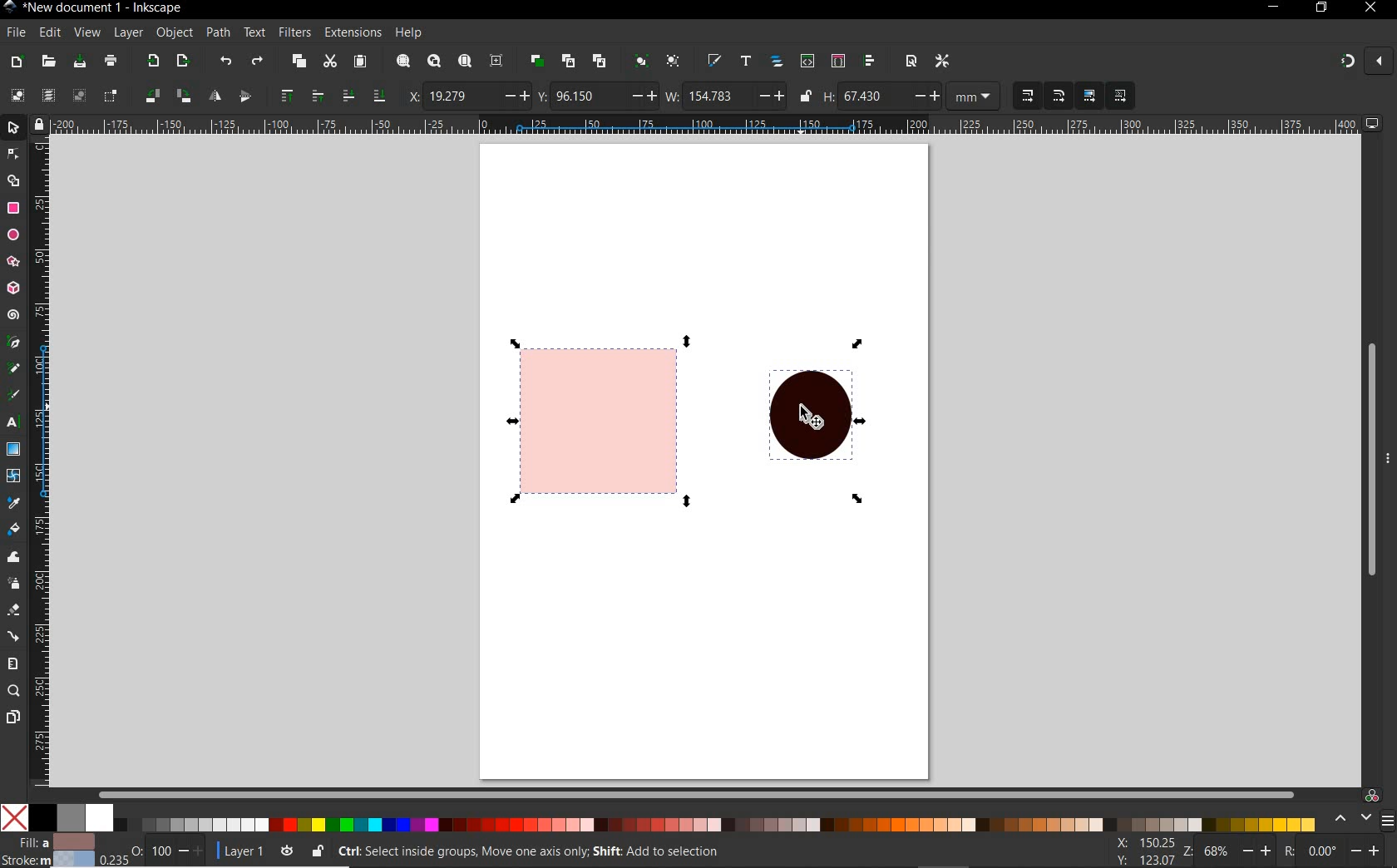  Describe the element at coordinates (12, 234) in the screenshot. I see `ellipse ,arc tool` at that location.